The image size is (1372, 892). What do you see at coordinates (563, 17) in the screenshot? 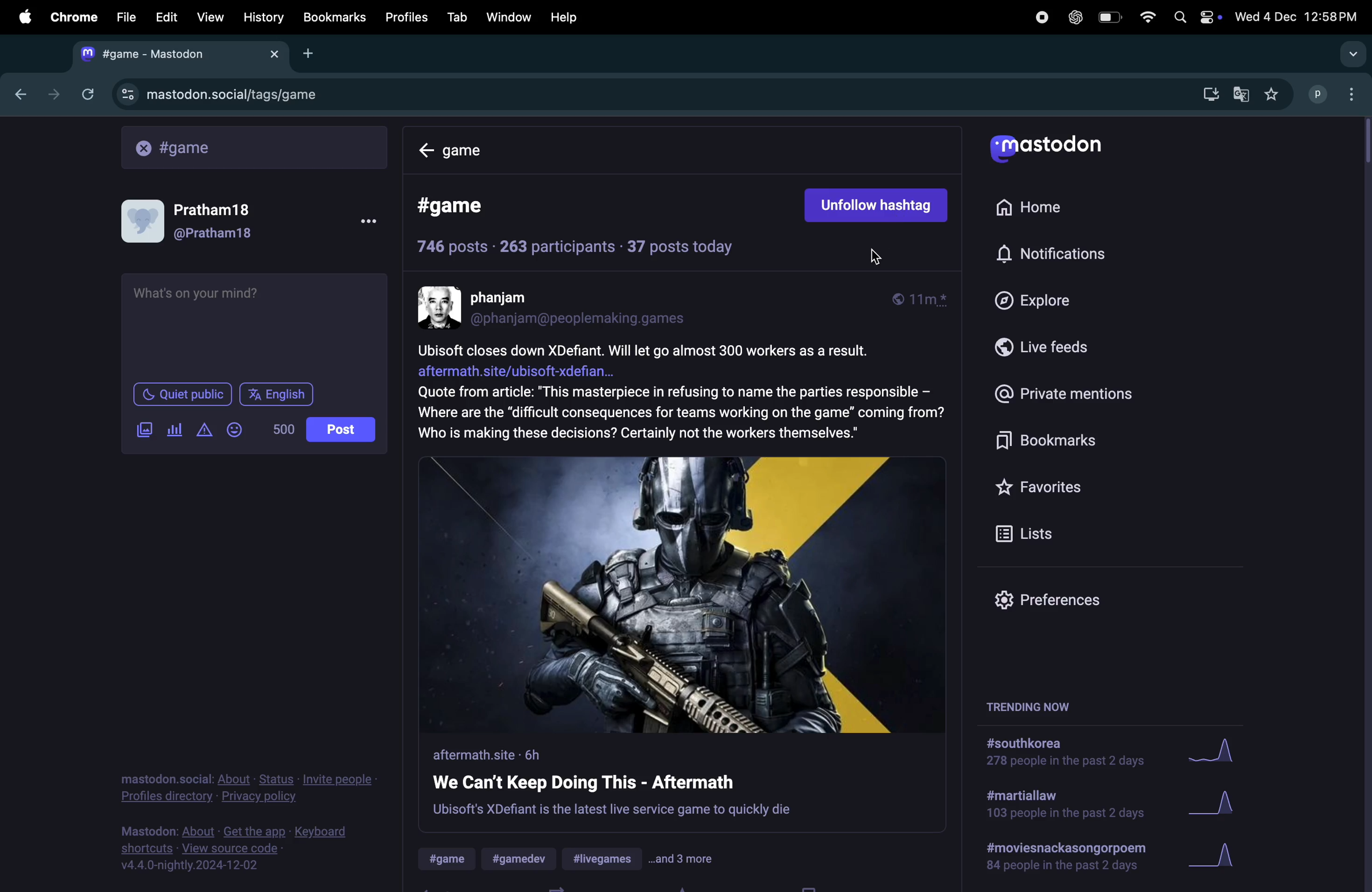
I see `help` at bounding box center [563, 17].